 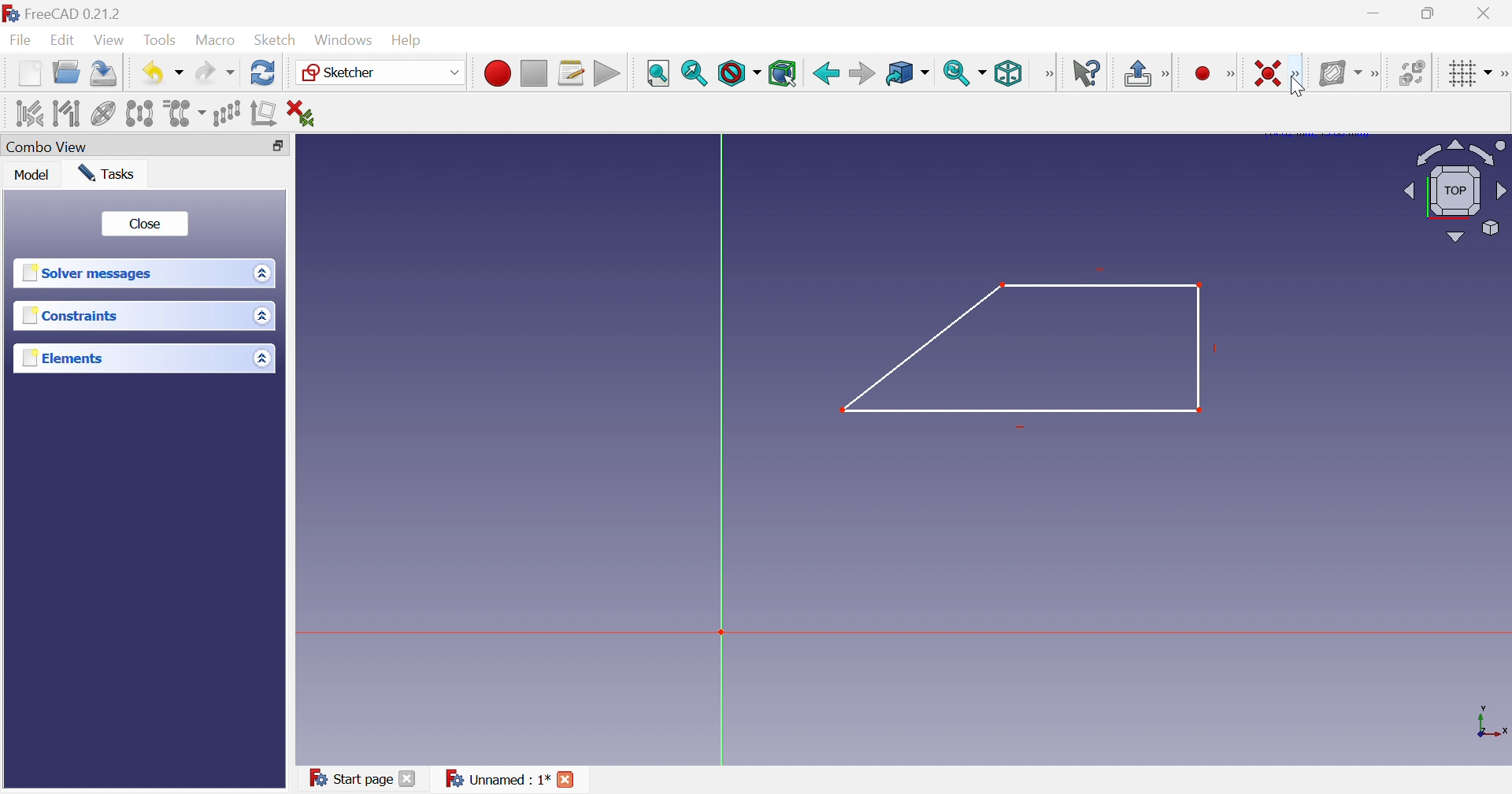 What do you see at coordinates (409, 781) in the screenshot?
I see `Close` at bounding box center [409, 781].